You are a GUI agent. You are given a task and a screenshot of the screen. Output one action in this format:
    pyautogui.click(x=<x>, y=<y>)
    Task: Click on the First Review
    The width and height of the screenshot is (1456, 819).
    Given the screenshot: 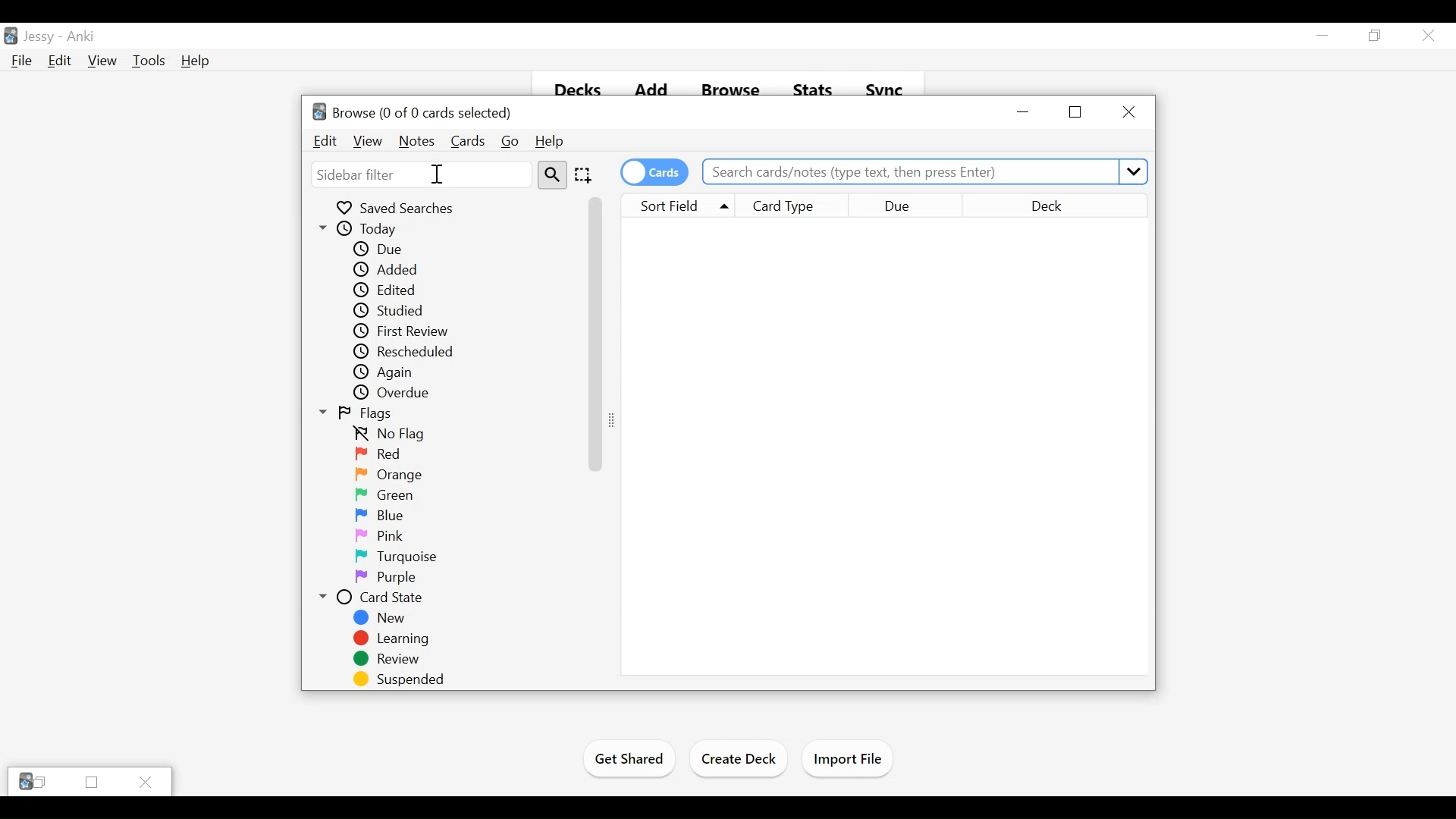 What is the action you would take?
    pyautogui.click(x=403, y=331)
    